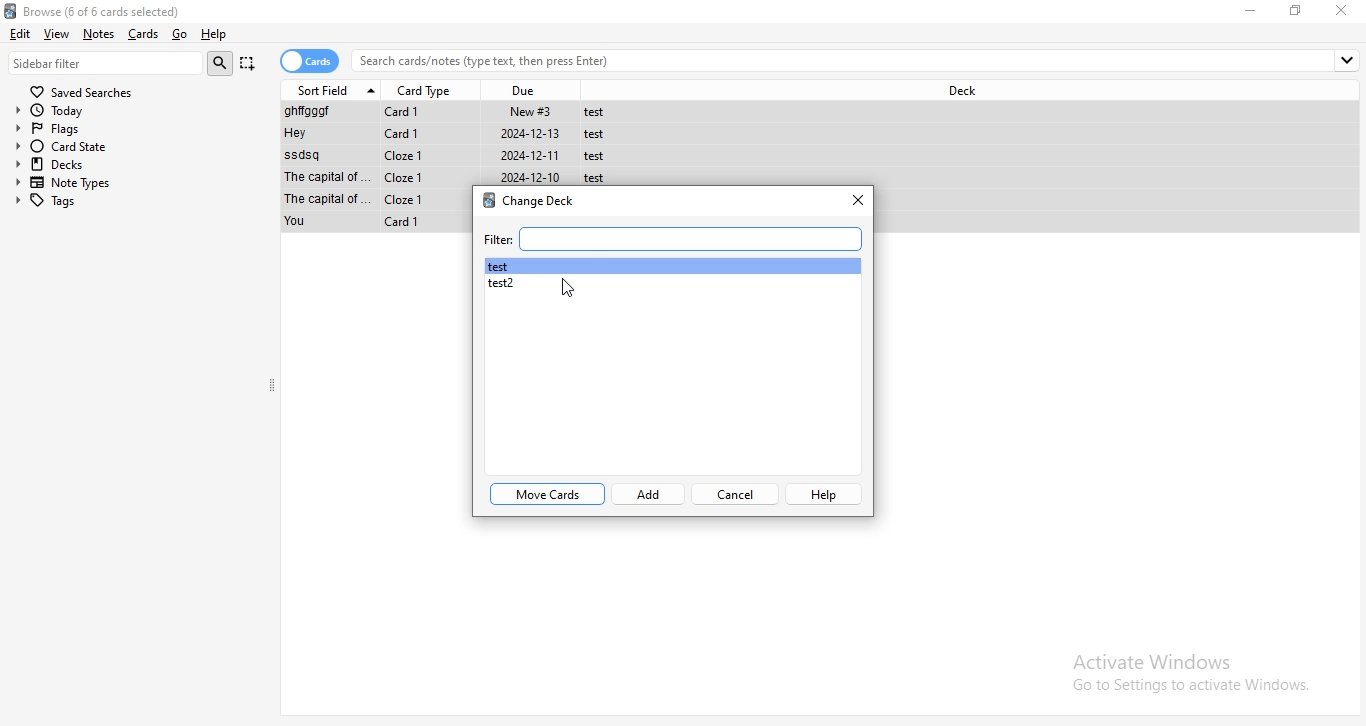 The width and height of the screenshot is (1366, 726). What do you see at coordinates (136, 183) in the screenshot?
I see `note types` at bounding box center [136, 183].